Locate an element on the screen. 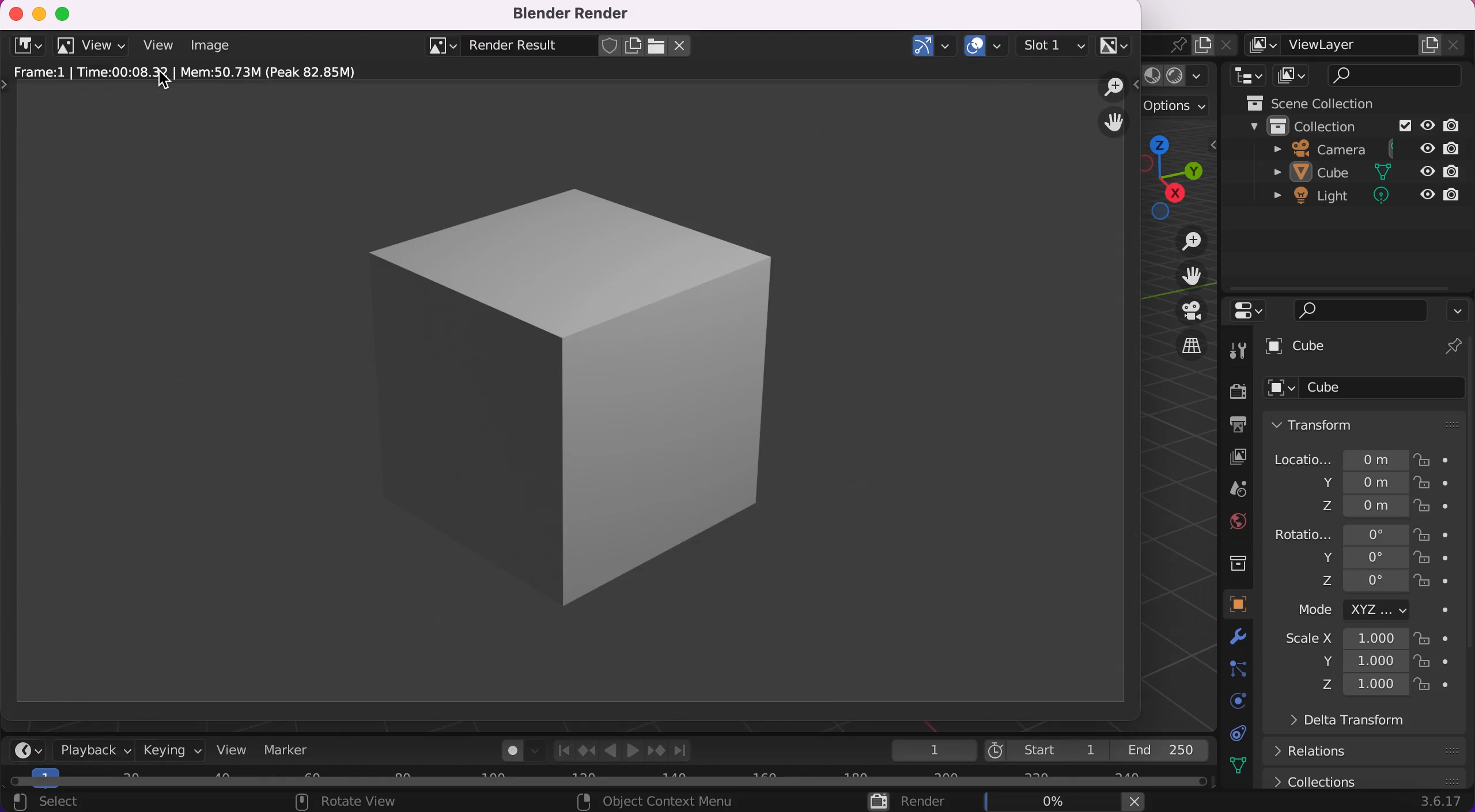 The image size is (1475, 812). lock is located at coordinates (1431, 638).